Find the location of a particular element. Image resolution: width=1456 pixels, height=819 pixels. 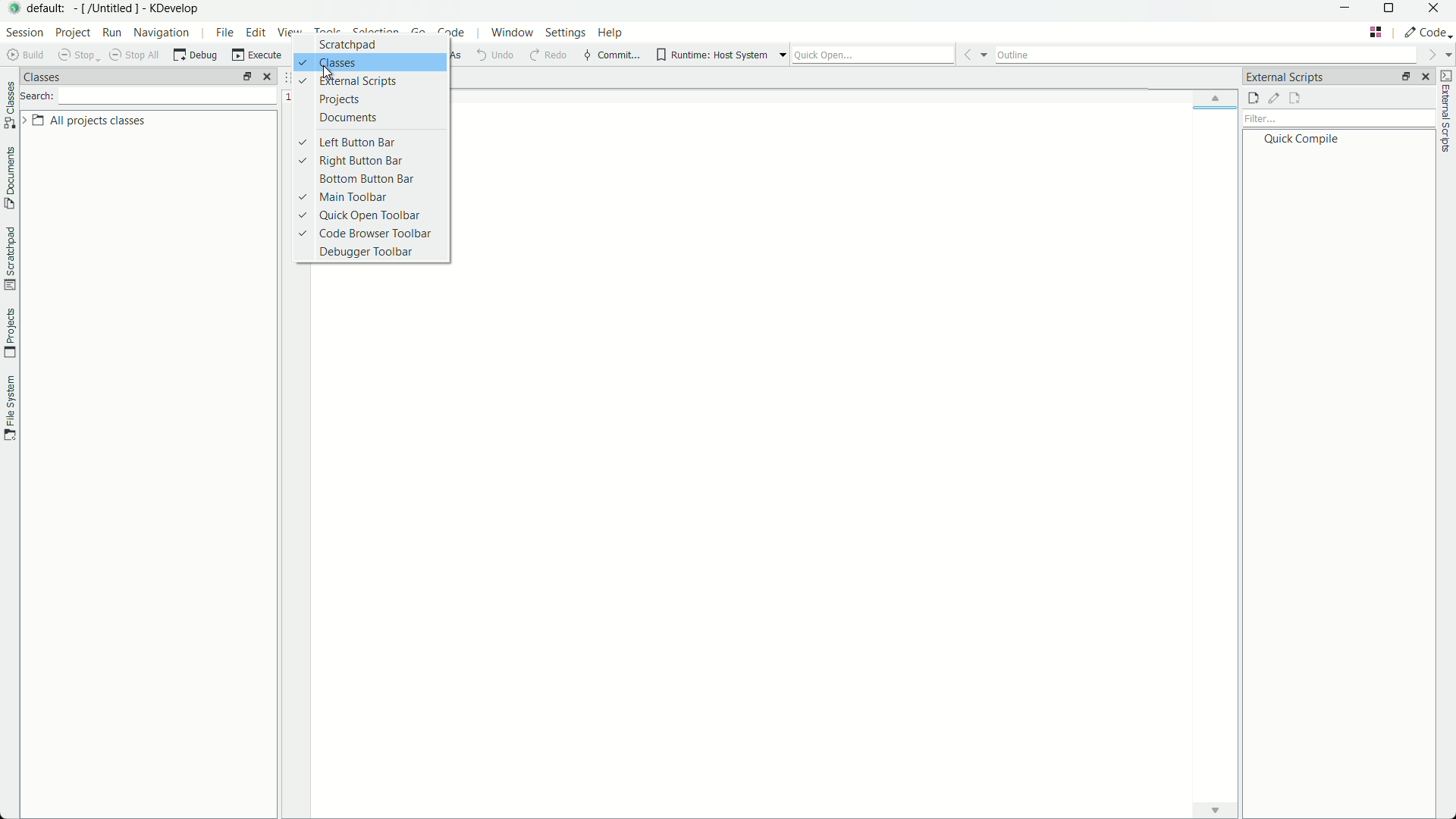

navigation menu is located at coordinates (160, 33).